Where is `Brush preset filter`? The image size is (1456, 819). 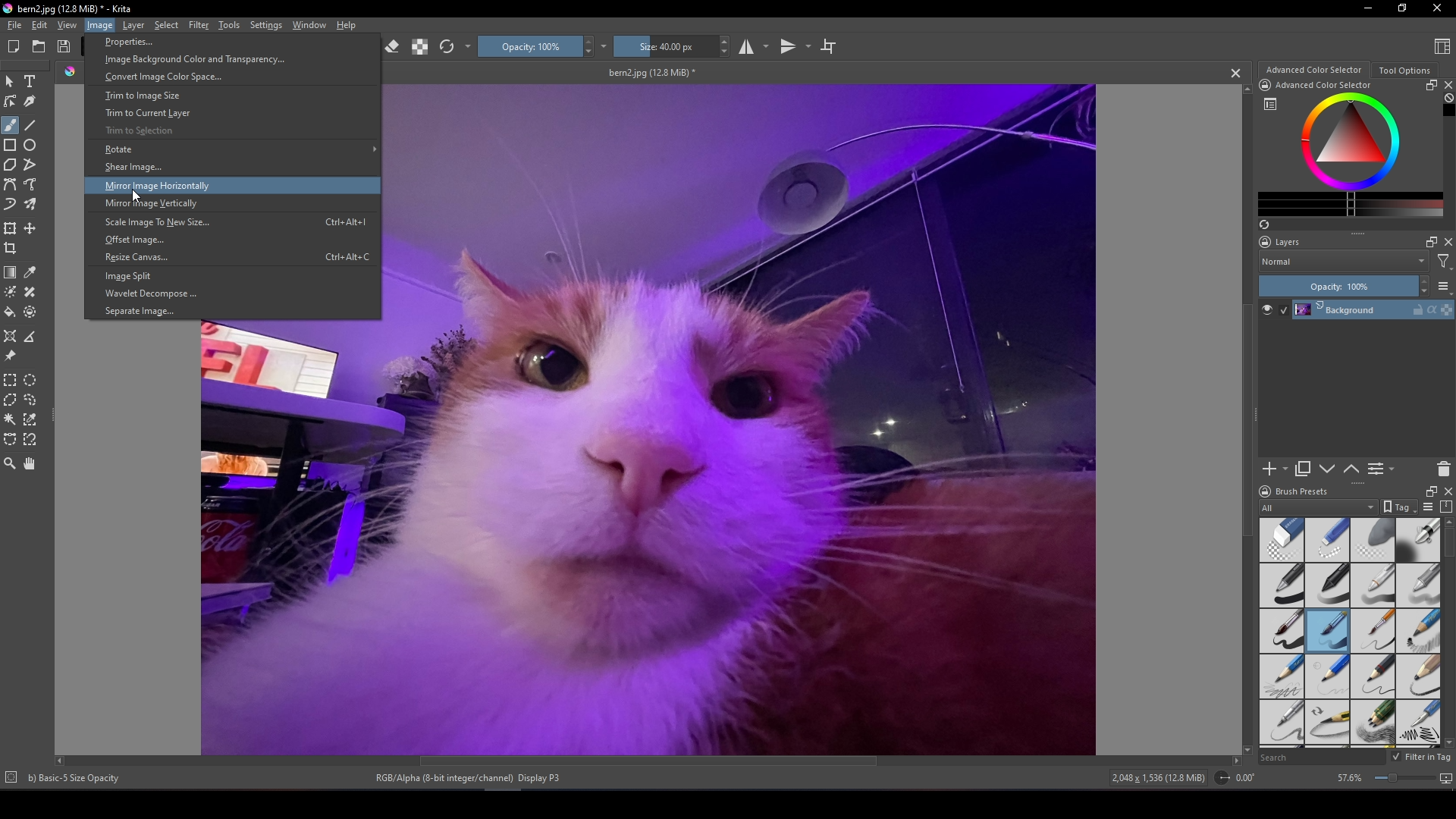
Brush preset filter is located at coordinates (1319, 508).